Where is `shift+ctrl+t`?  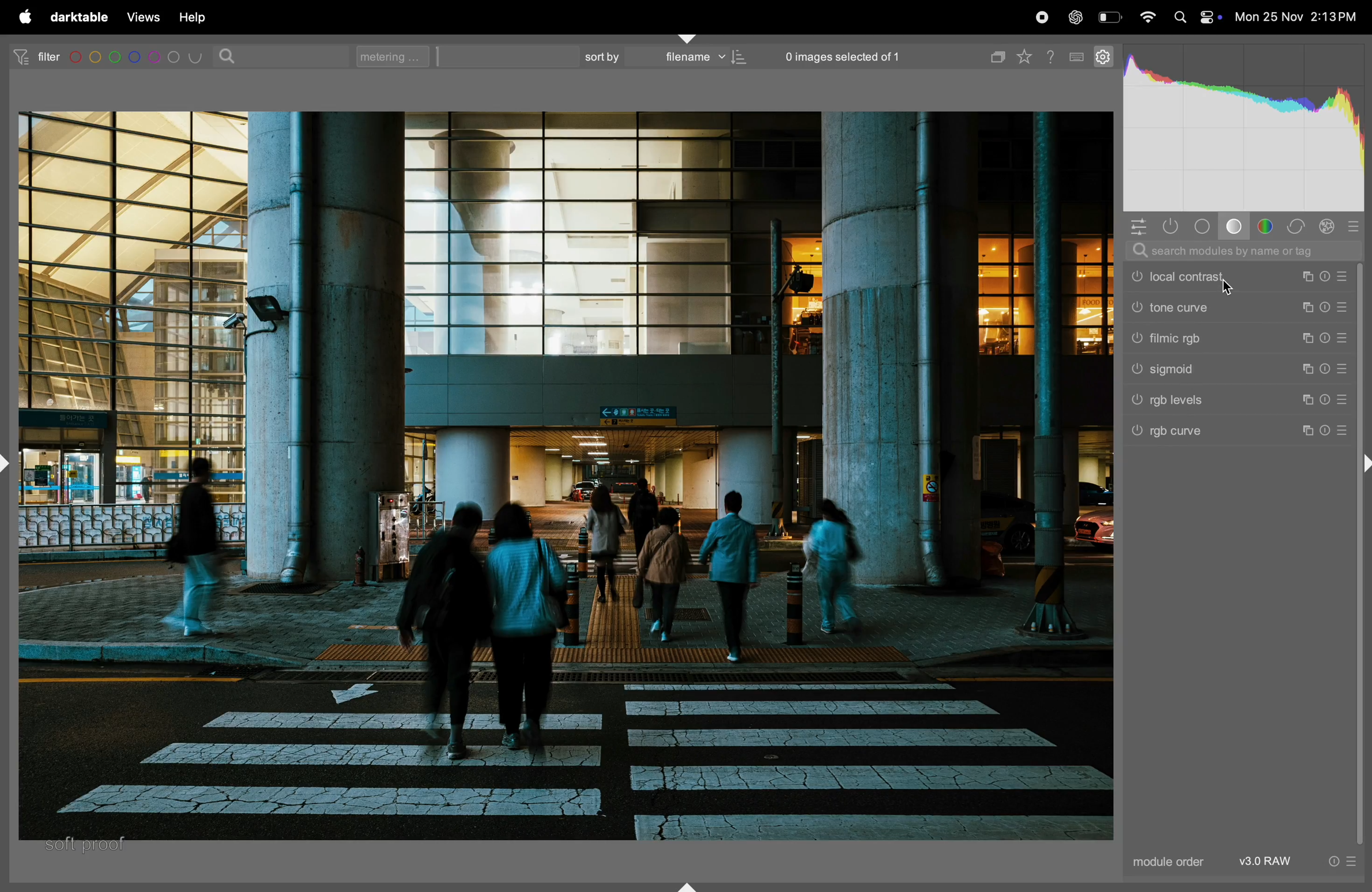 shift+ctrl+t is located at coordinates (688, 37).